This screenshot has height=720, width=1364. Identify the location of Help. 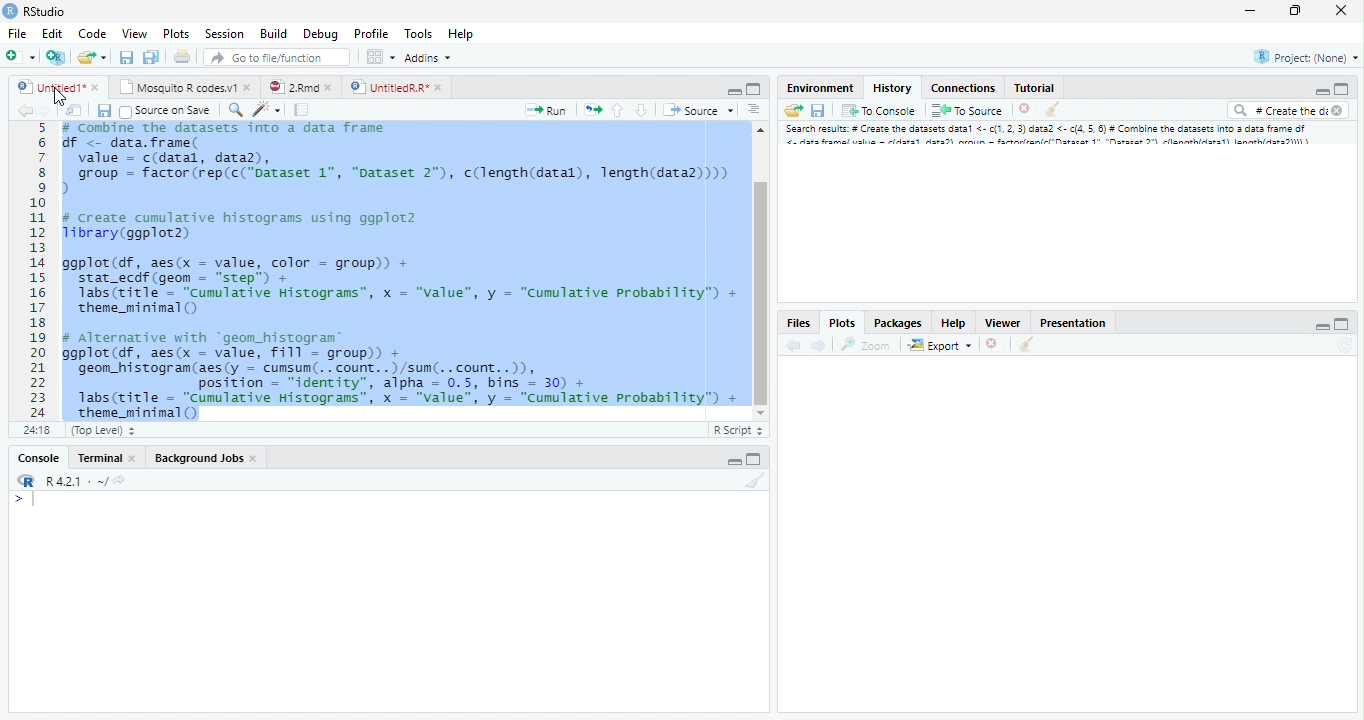
(460, 34).